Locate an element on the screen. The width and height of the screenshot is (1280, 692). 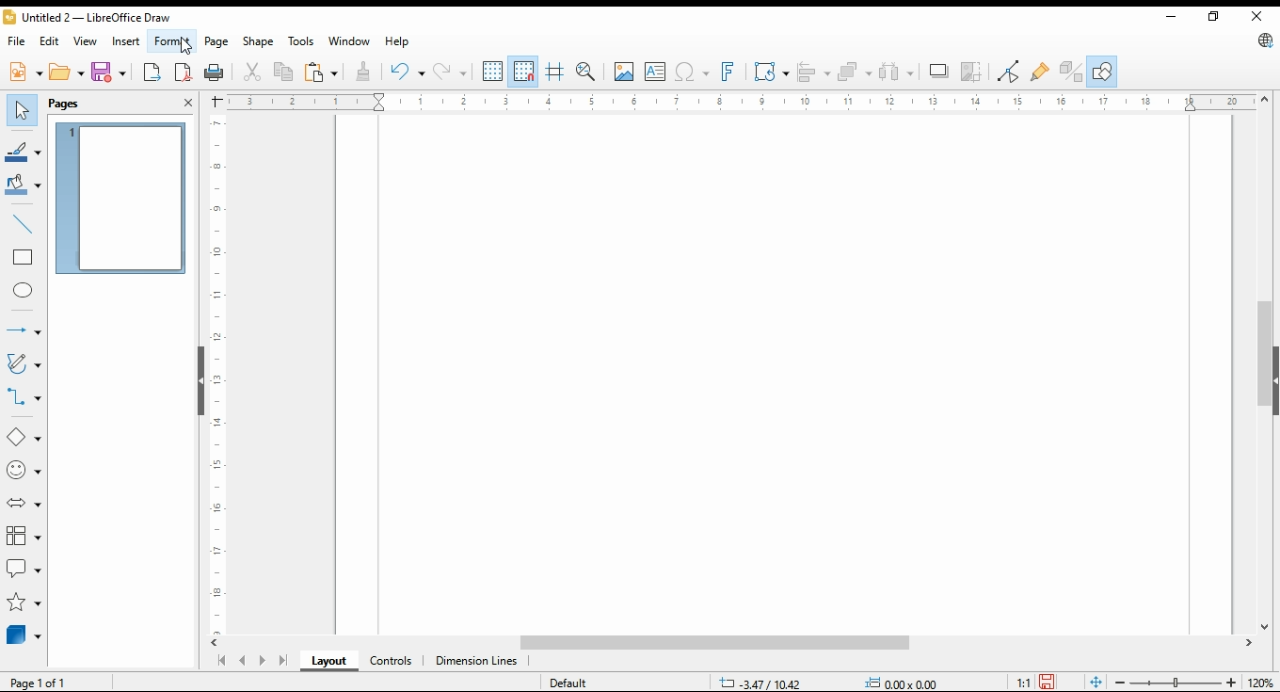
shadow is located at coordinates (939, 71).